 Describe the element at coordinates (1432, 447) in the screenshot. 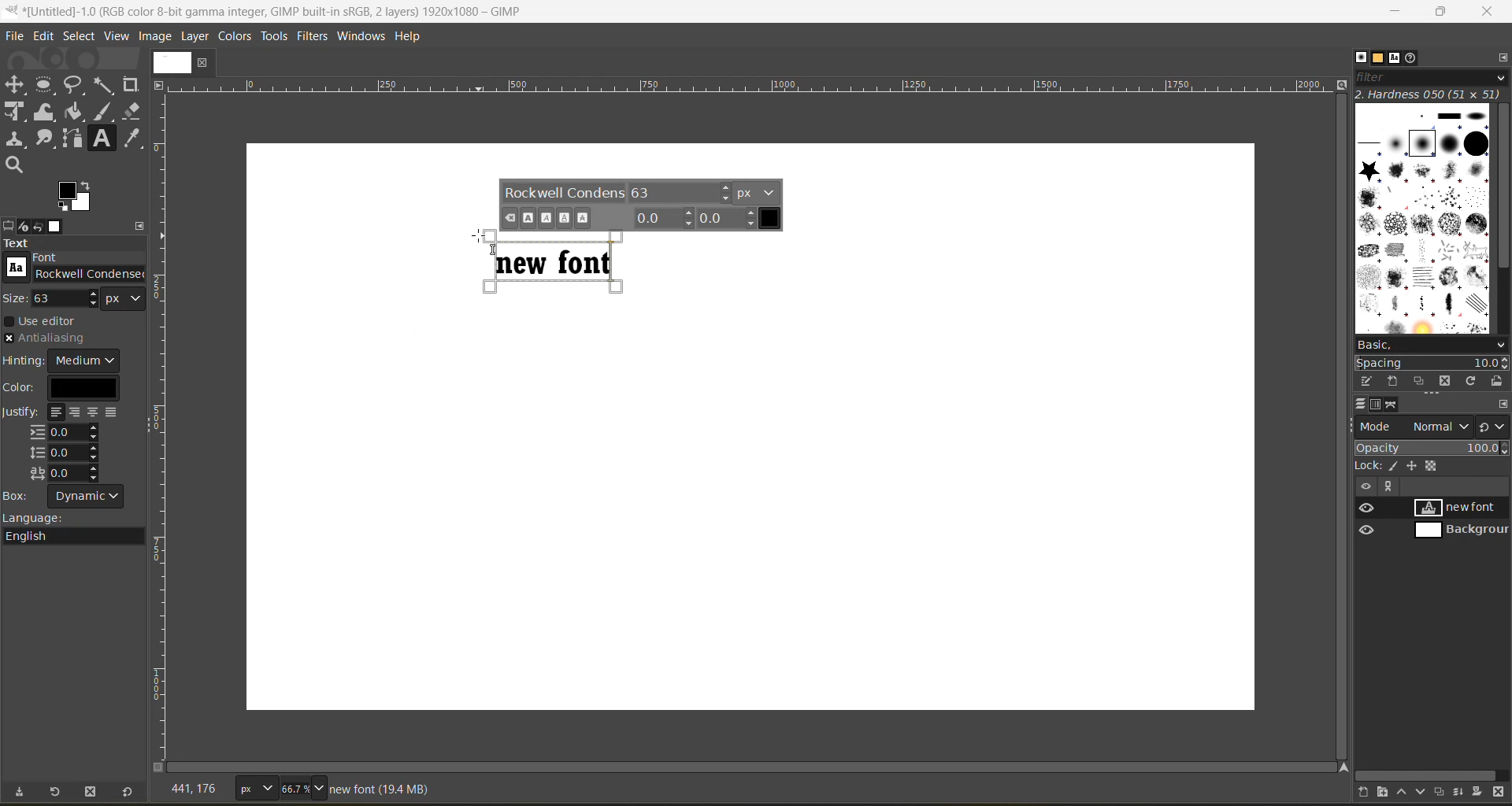

I see `opacity` at that location.